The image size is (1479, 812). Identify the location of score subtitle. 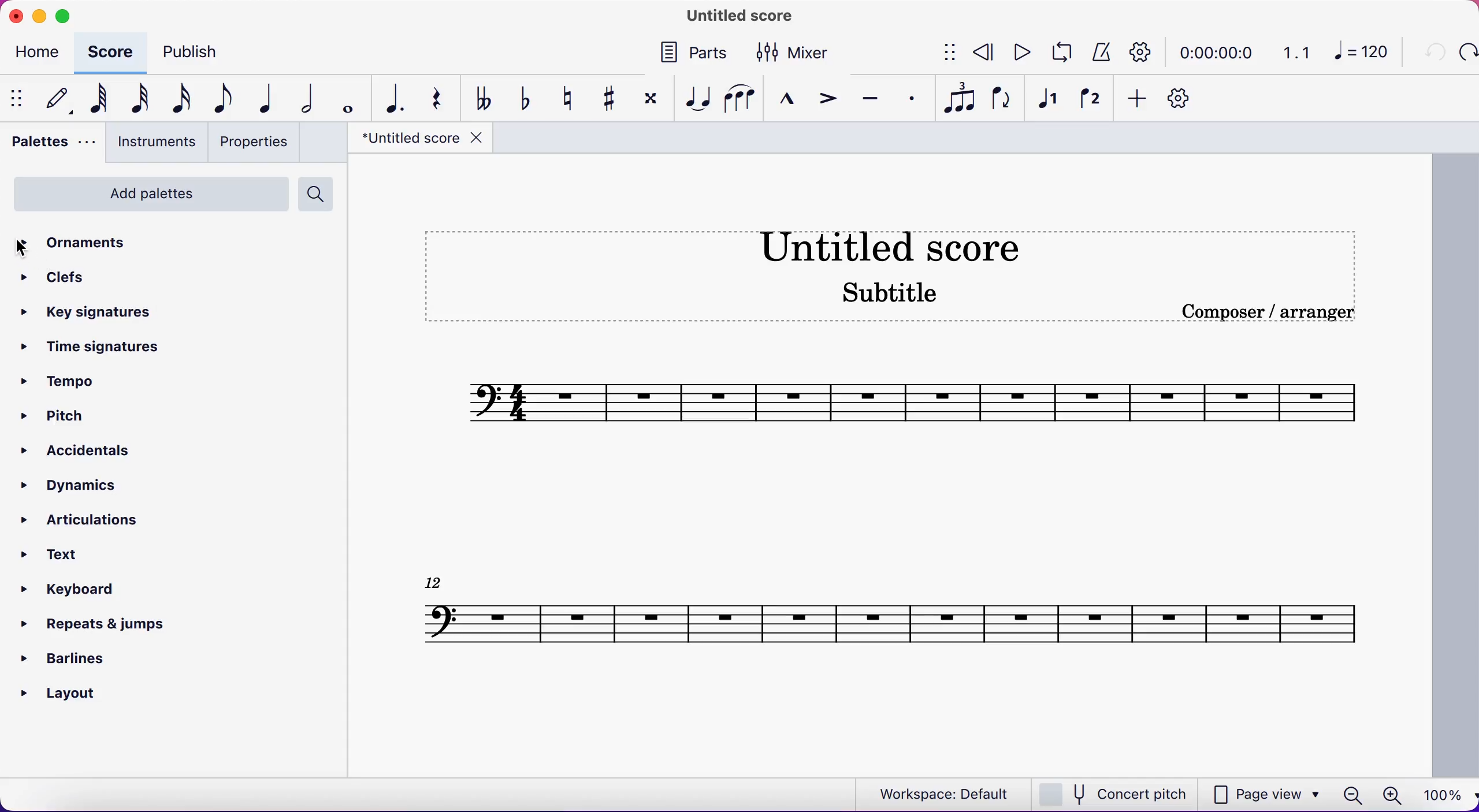
(895, 299).